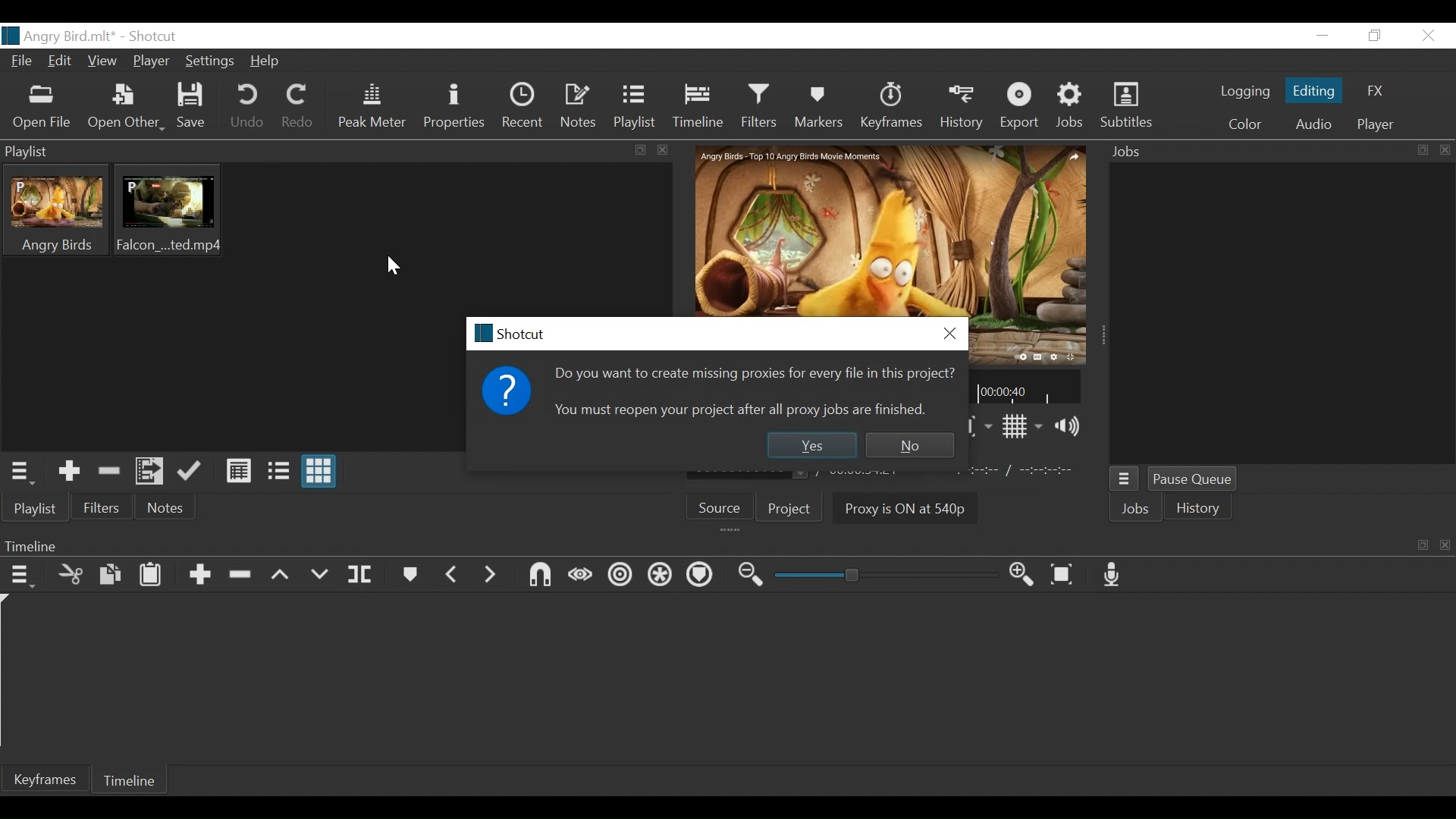  What do you see at coordinates (721, 507) in the screenshot?
I see `Source` at bounding box center [721, 507].